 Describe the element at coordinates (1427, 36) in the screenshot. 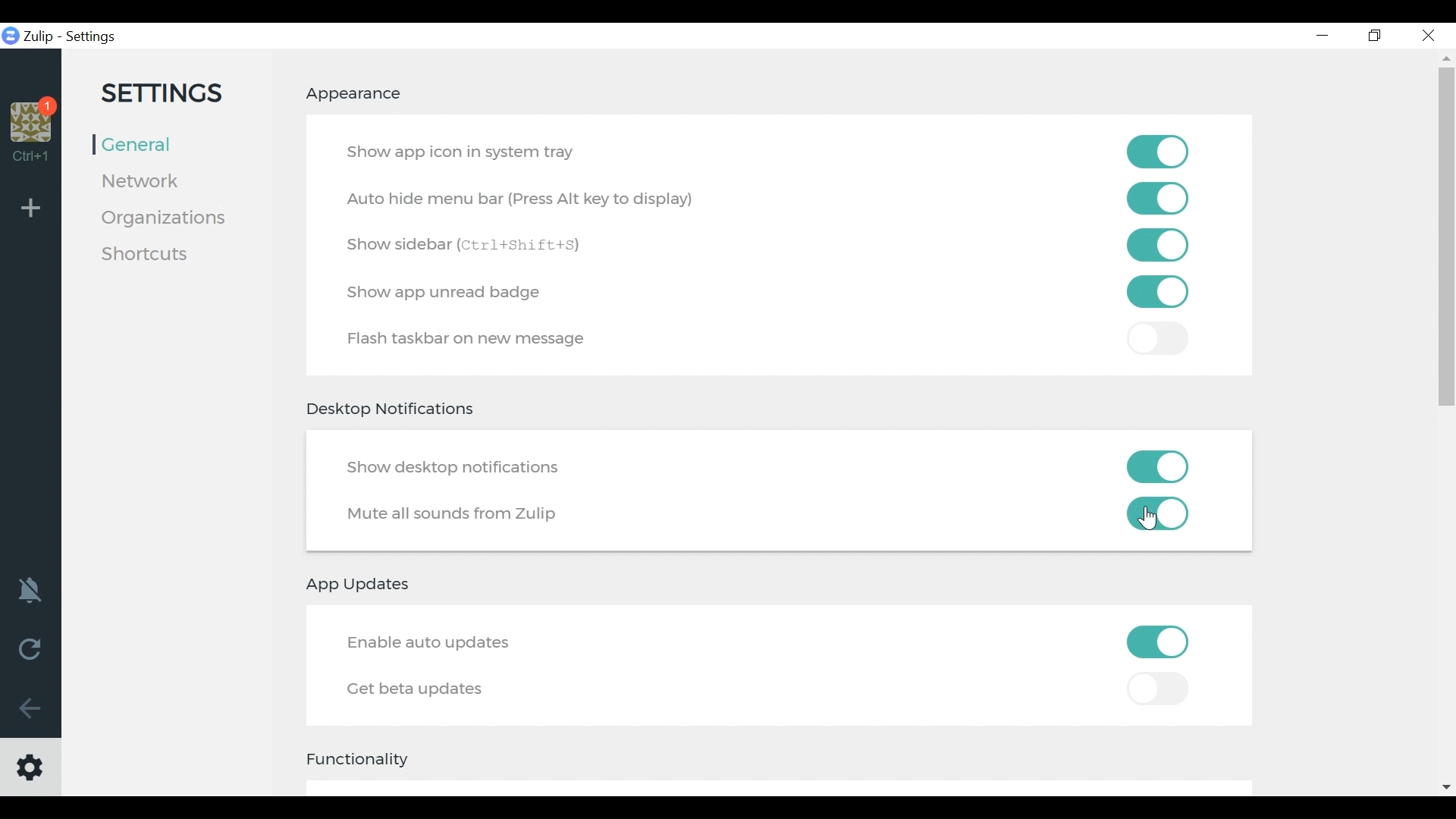

I see `Close` at that location.